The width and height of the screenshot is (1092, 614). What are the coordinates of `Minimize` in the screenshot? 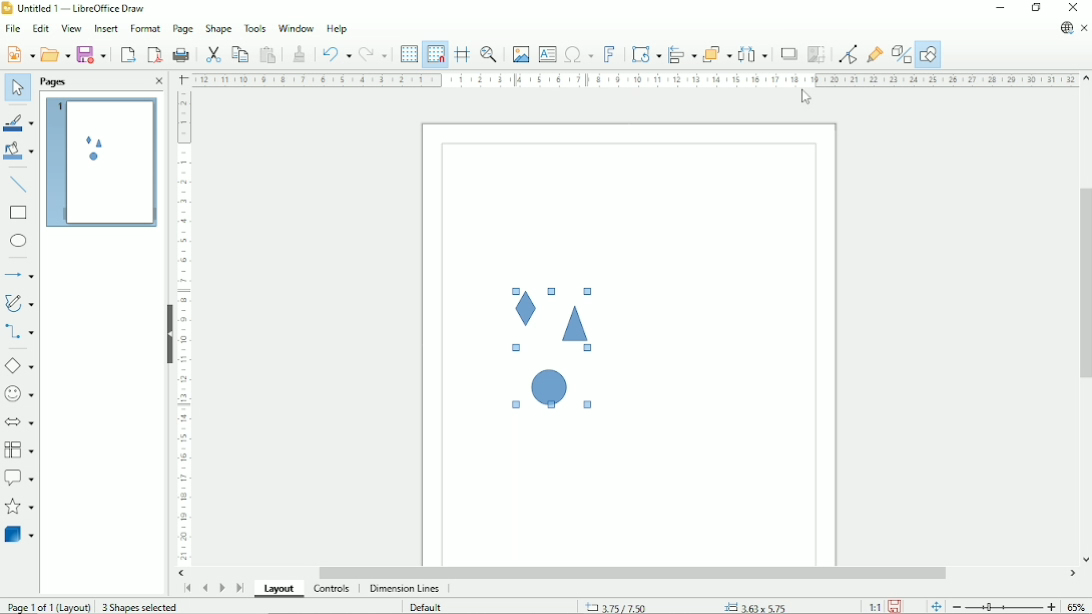 It's located at (1000, 8).